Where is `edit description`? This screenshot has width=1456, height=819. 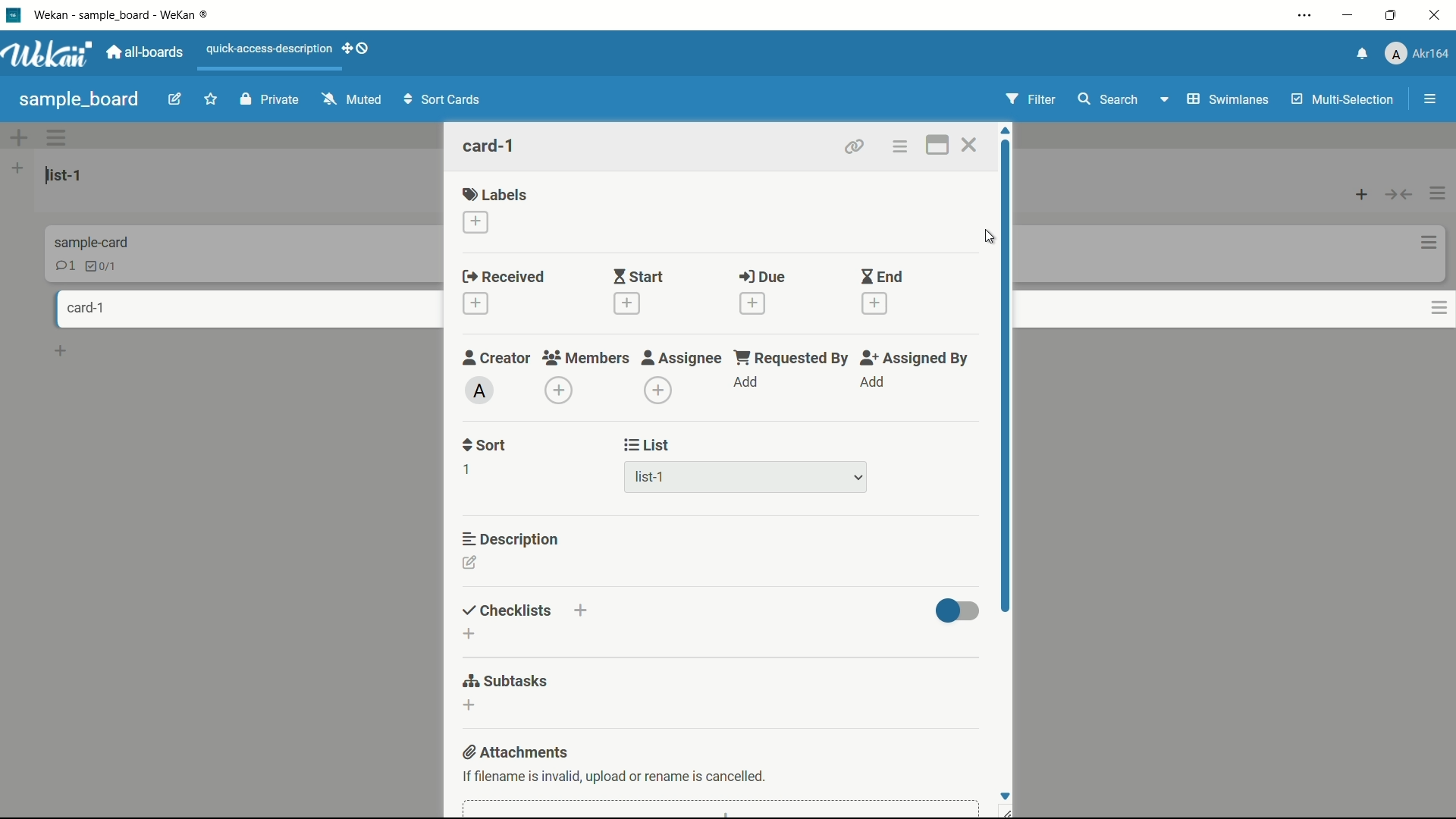 edit description is located at coordinates (471, 573).